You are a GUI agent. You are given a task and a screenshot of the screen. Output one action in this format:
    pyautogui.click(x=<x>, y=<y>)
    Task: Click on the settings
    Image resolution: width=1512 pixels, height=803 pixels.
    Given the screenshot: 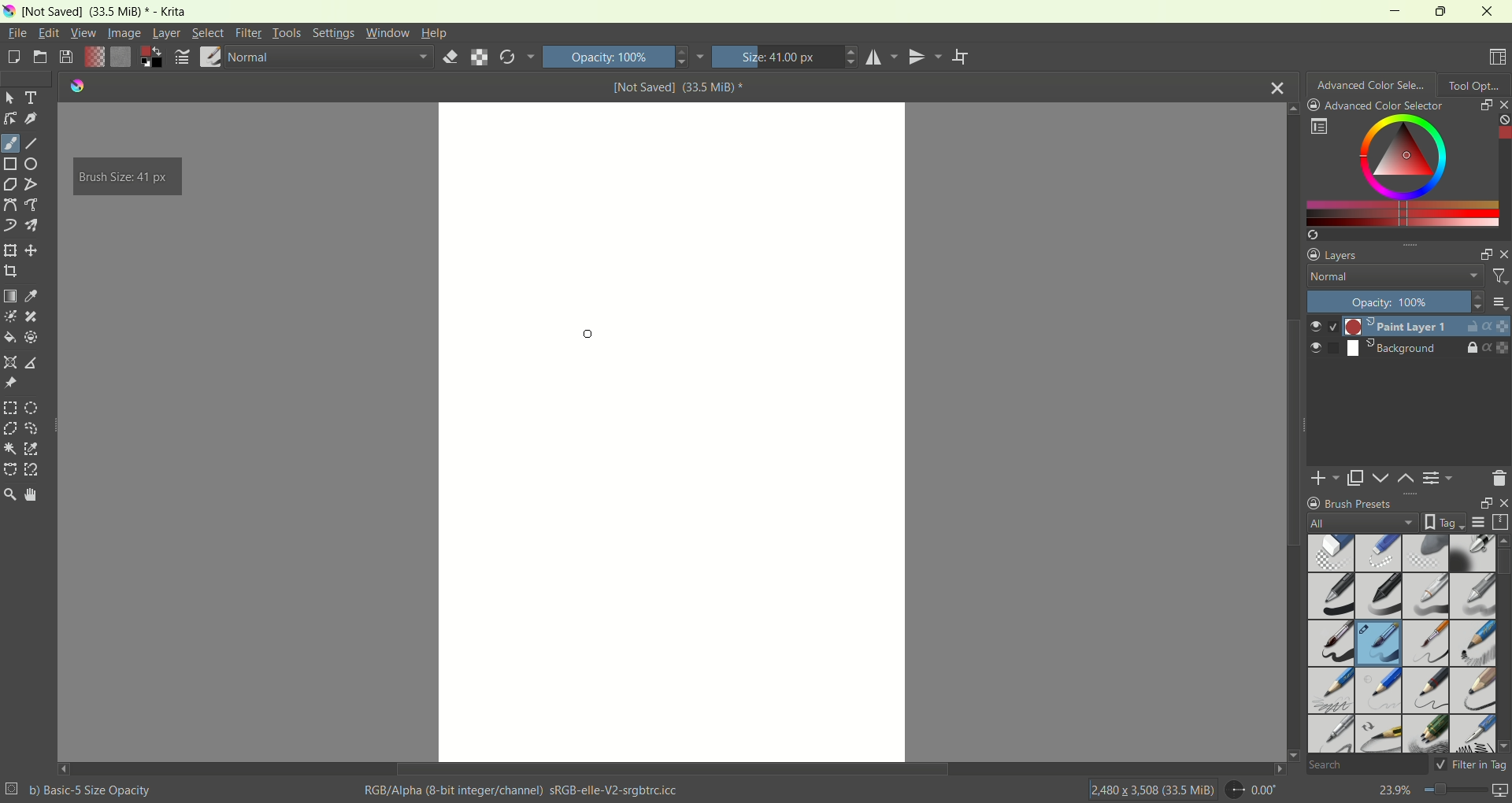 What is the action you would take?
    pyautogui.click(x=332, y=33)
    